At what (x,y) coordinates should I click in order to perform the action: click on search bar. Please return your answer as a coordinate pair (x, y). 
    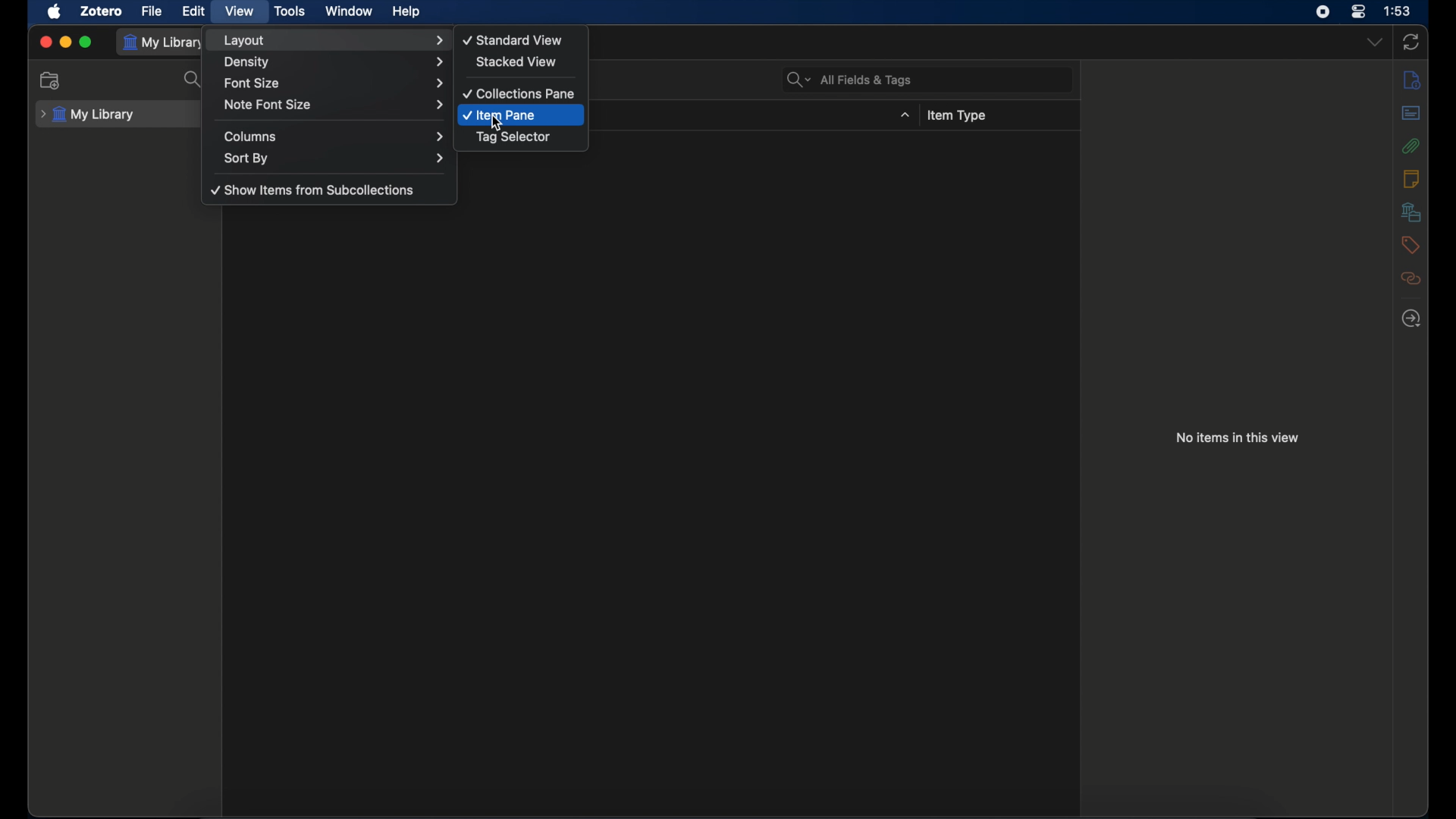
    Looking at the image, I should click on (849, 80).